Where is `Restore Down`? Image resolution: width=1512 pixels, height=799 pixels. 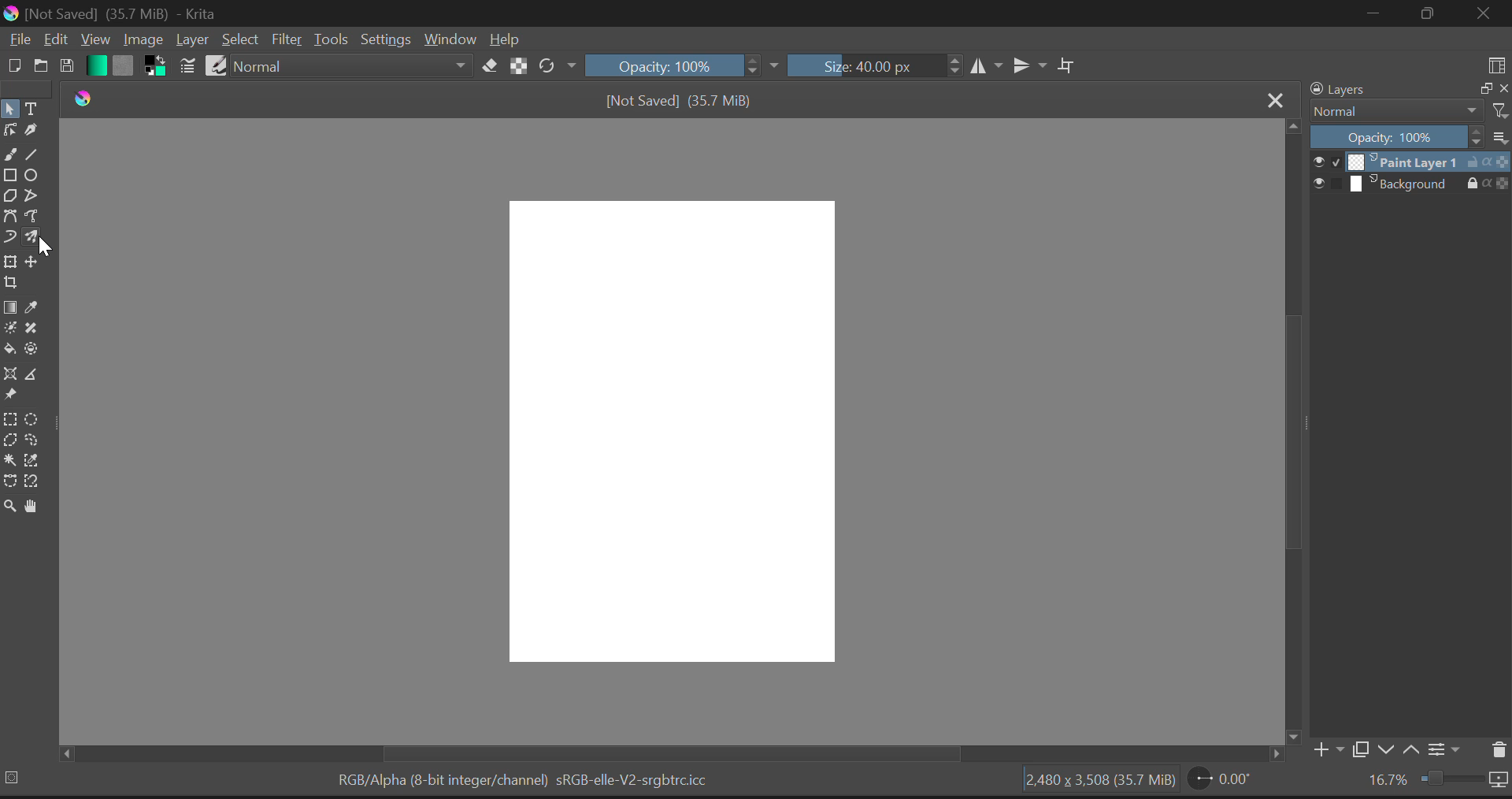
Restore Down is located at coordinates (1378, 13).